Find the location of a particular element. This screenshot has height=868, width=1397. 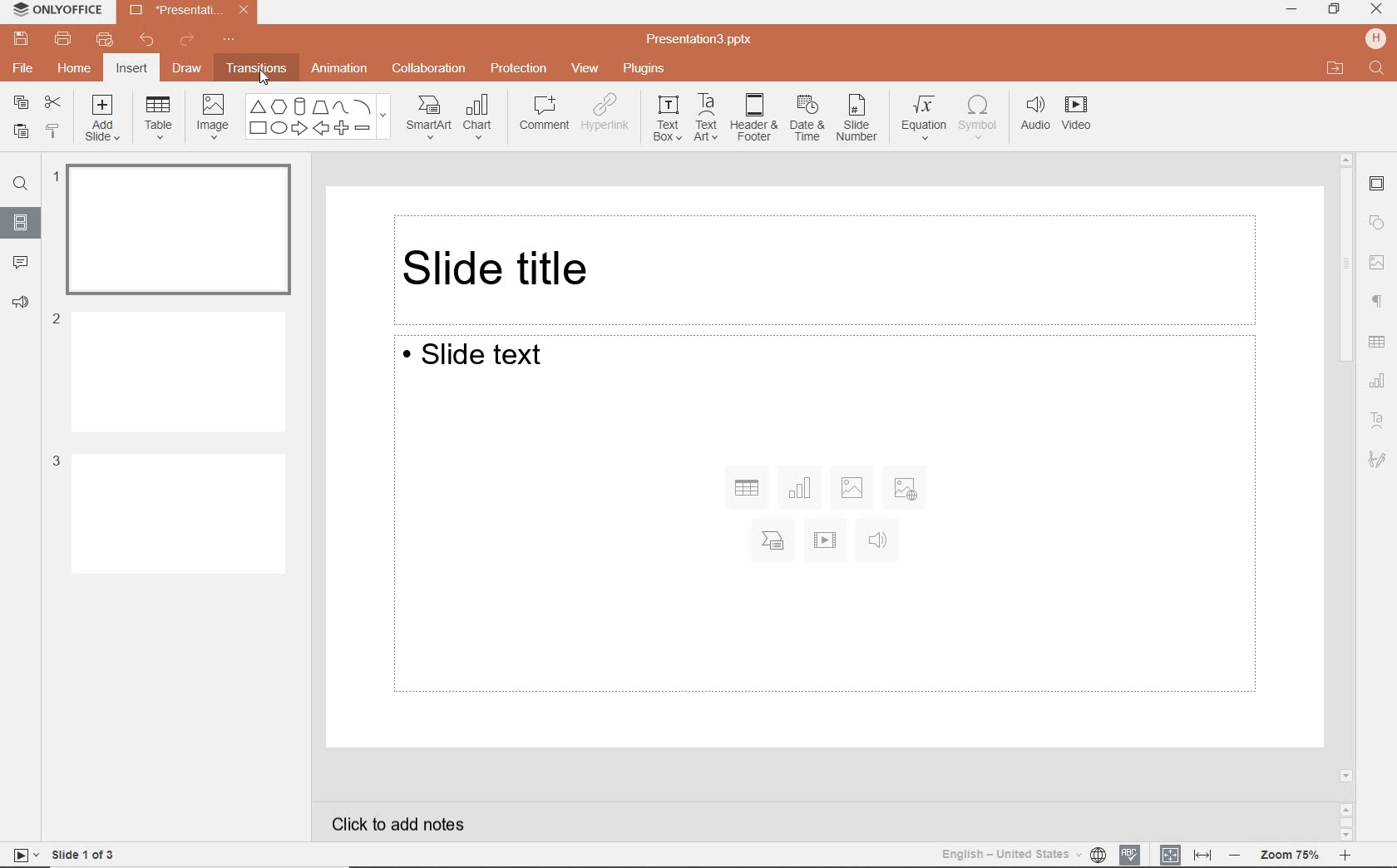

Slide title is located at coordinates (827, 264).